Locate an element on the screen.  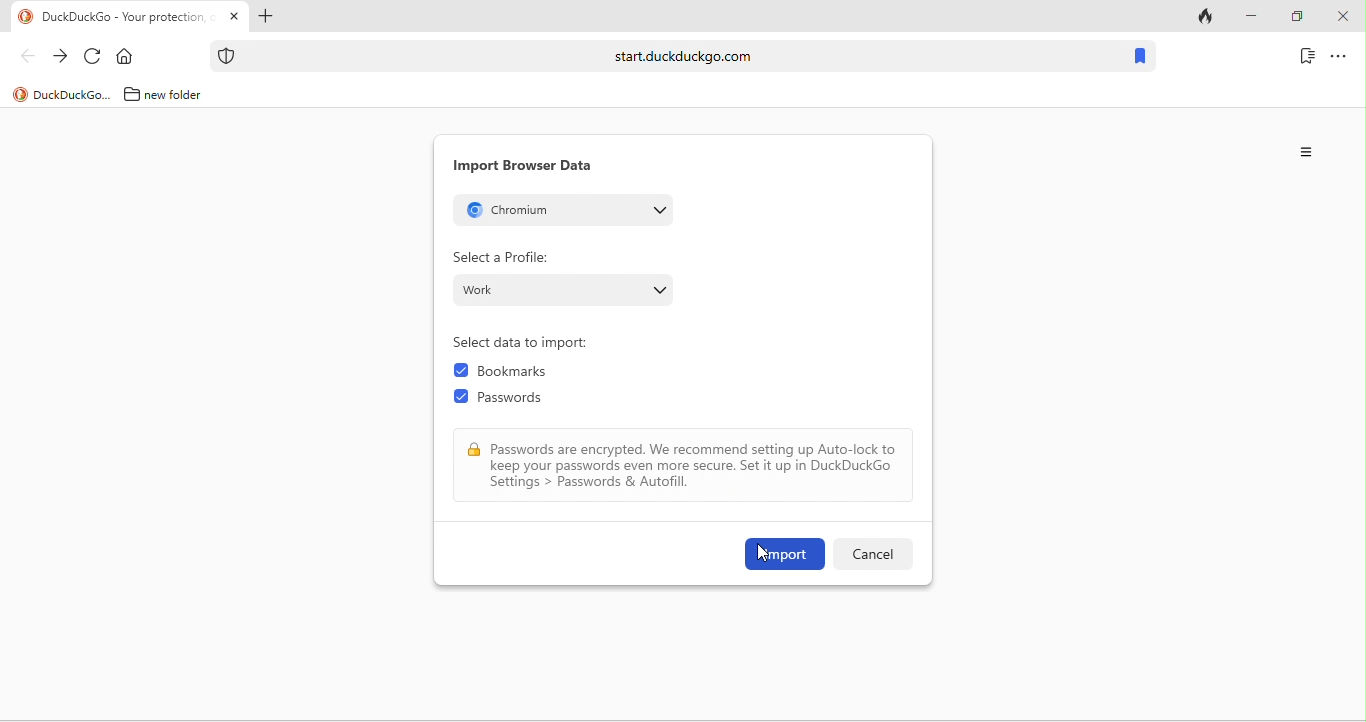
forward is located at coordinates (60, 57).